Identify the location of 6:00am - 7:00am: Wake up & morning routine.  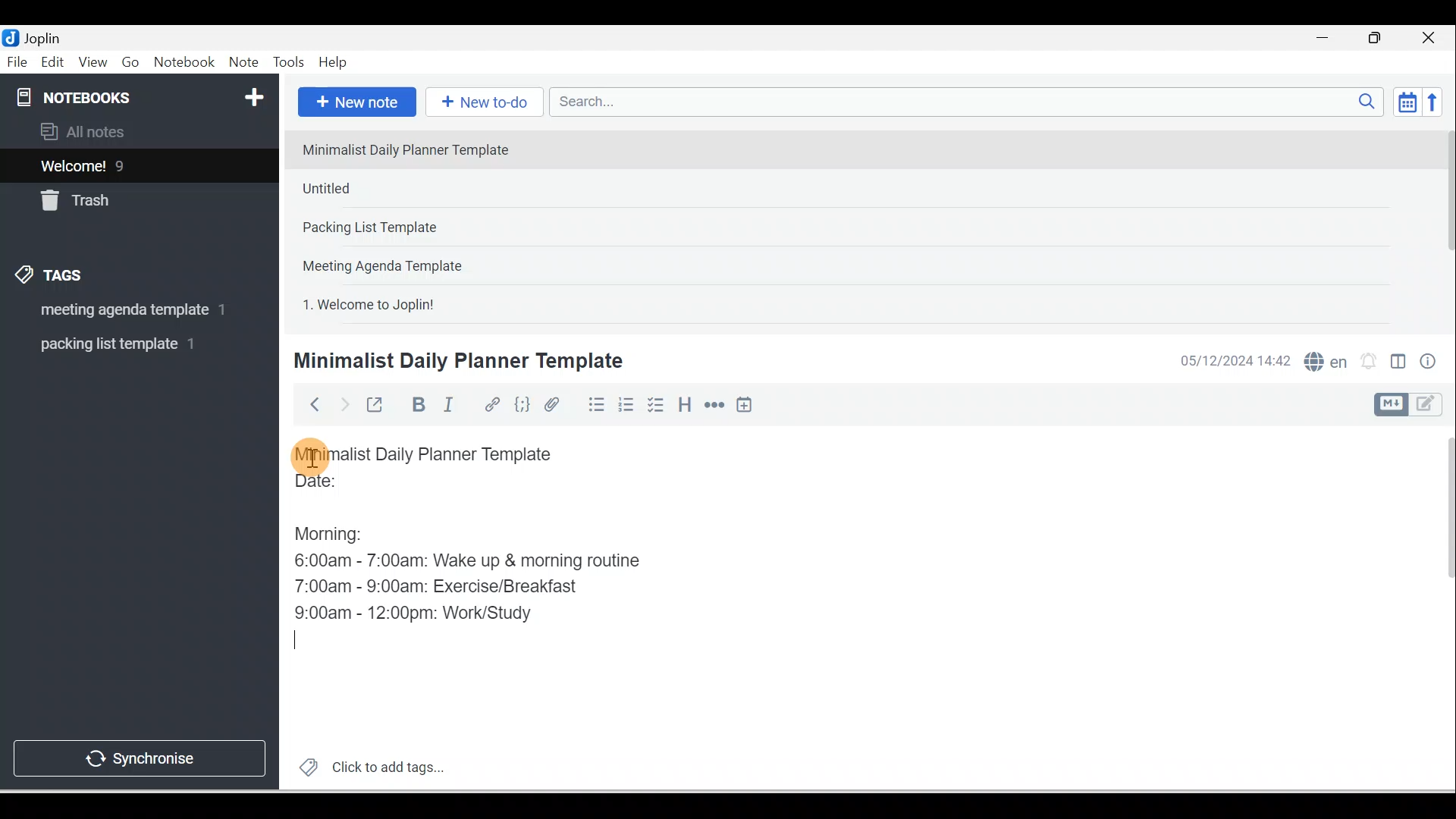
(472, 560).